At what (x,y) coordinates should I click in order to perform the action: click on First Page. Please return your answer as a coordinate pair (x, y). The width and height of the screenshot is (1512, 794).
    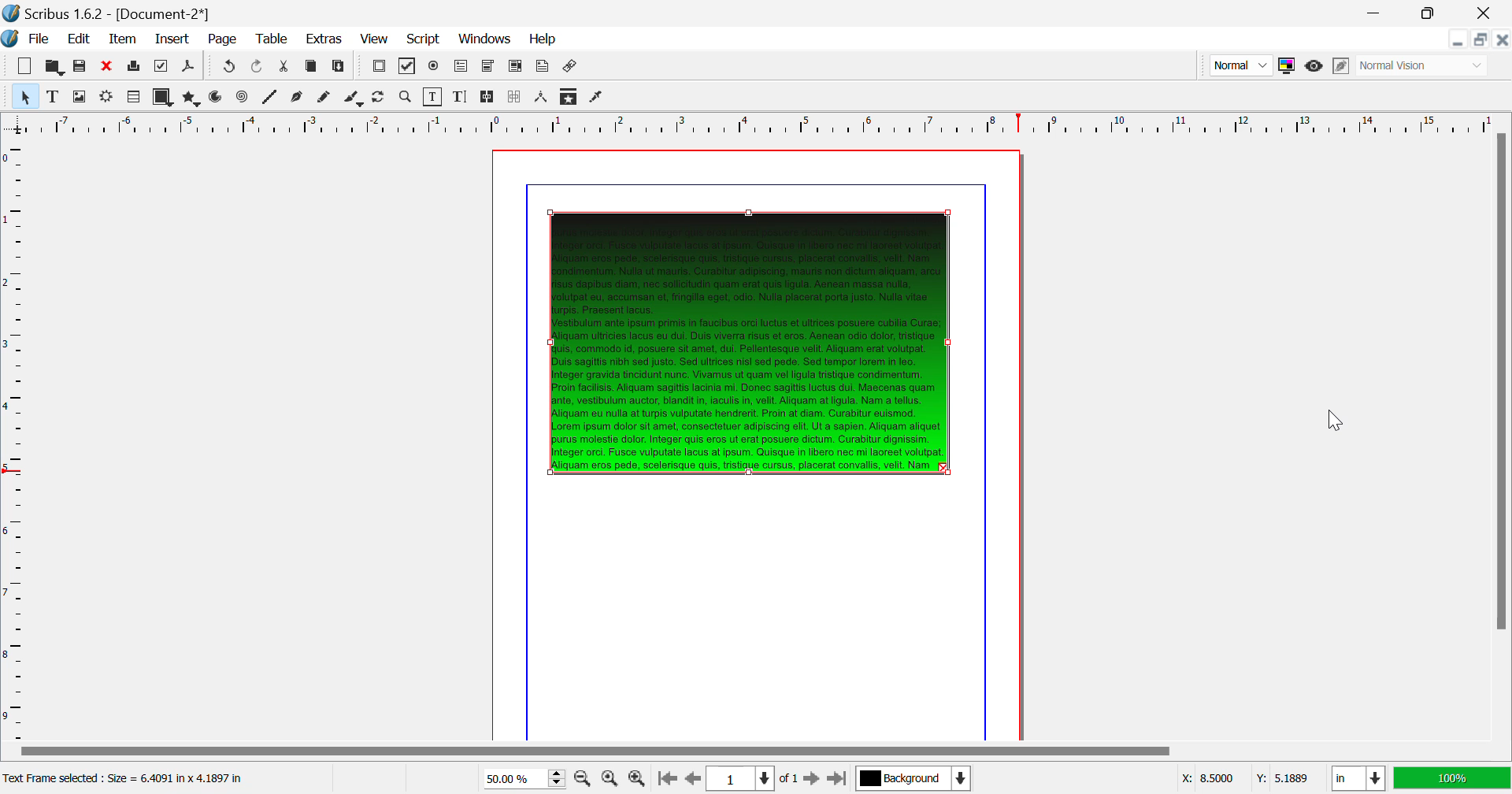
    Looking at the image, I should click on (665, 780).